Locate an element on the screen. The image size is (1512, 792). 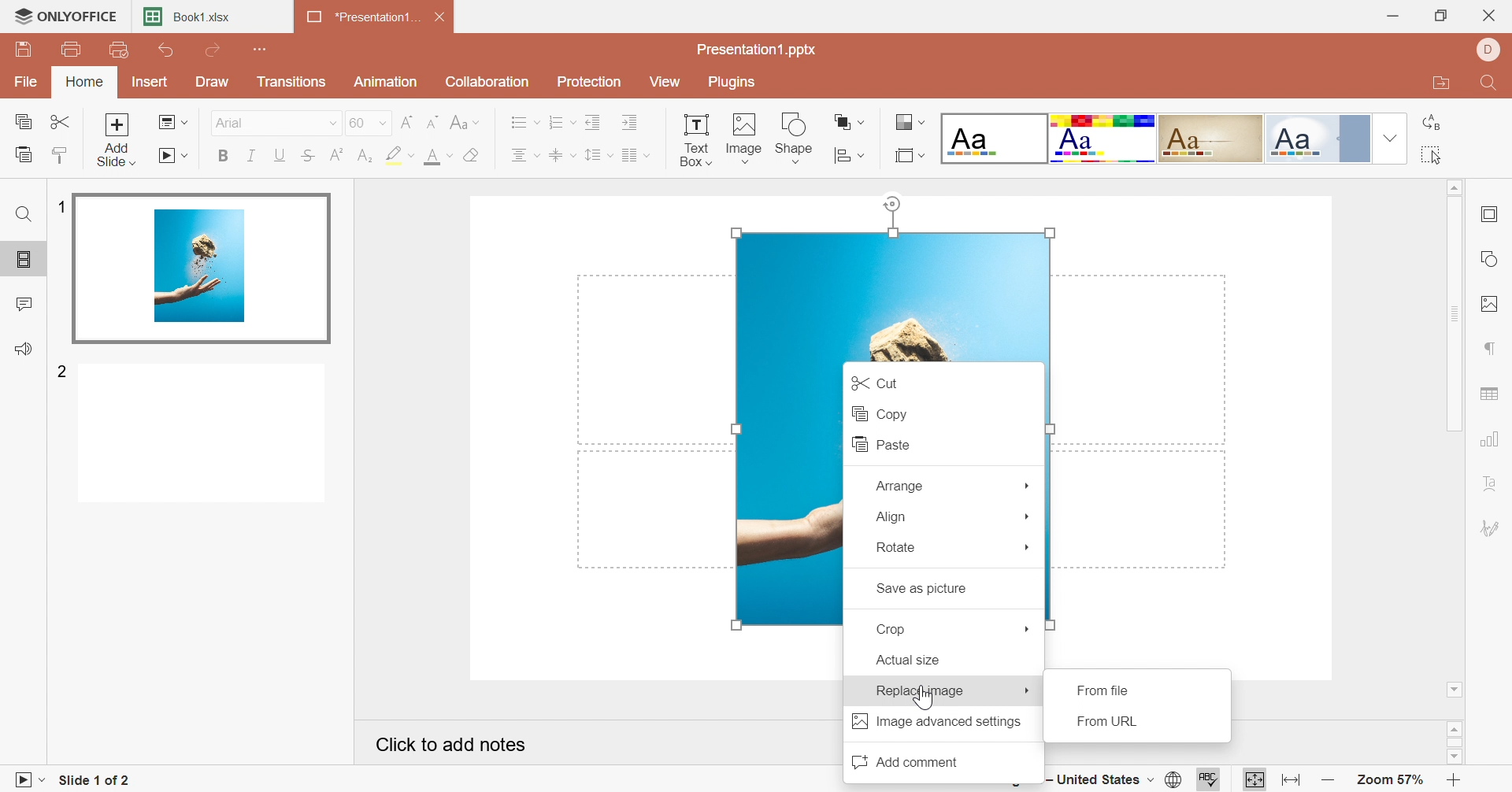
Drop Down is located at coordinates (1028, 691).